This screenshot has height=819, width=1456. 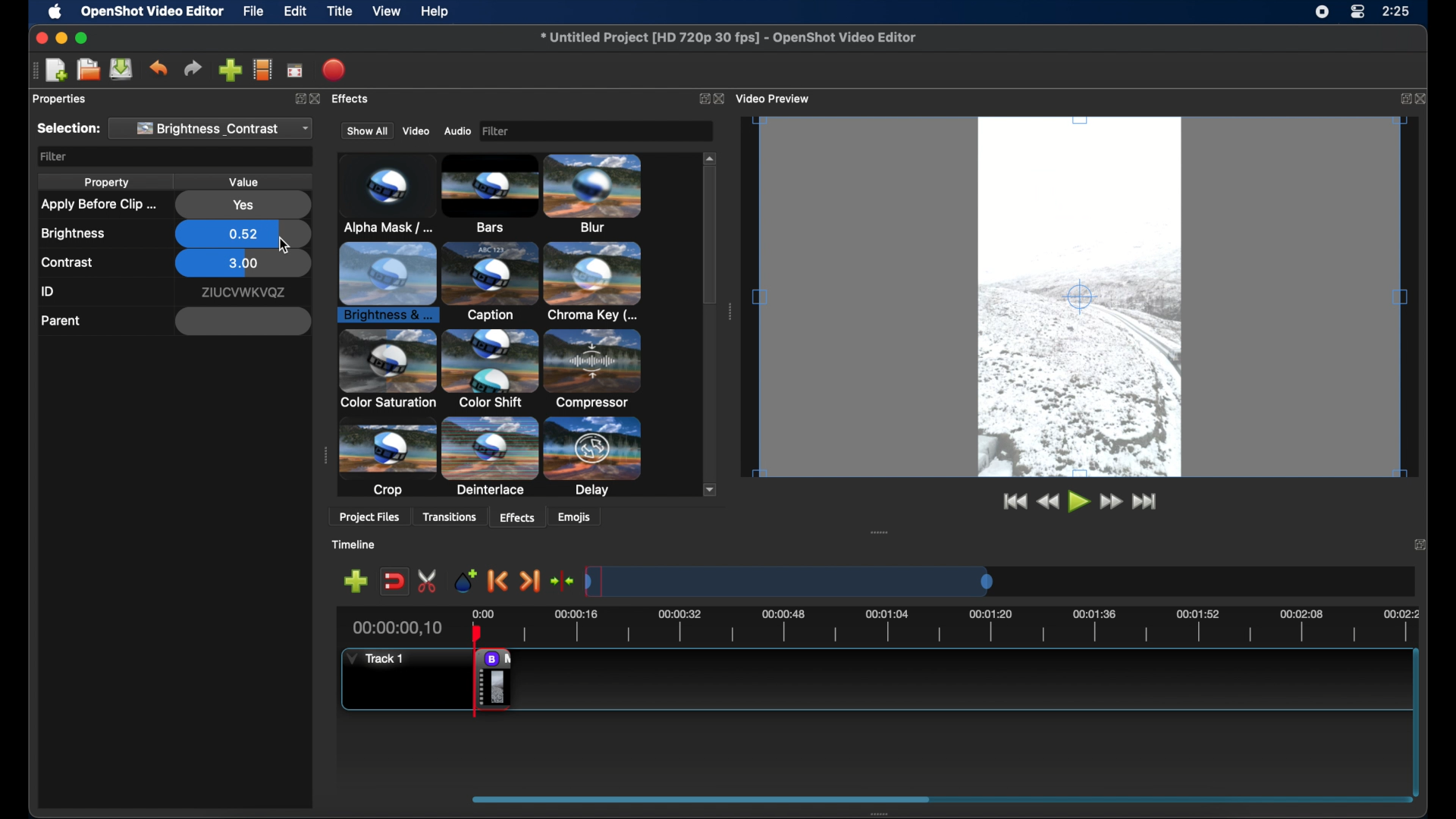 I want to click on property, so click(x=106, y=184).